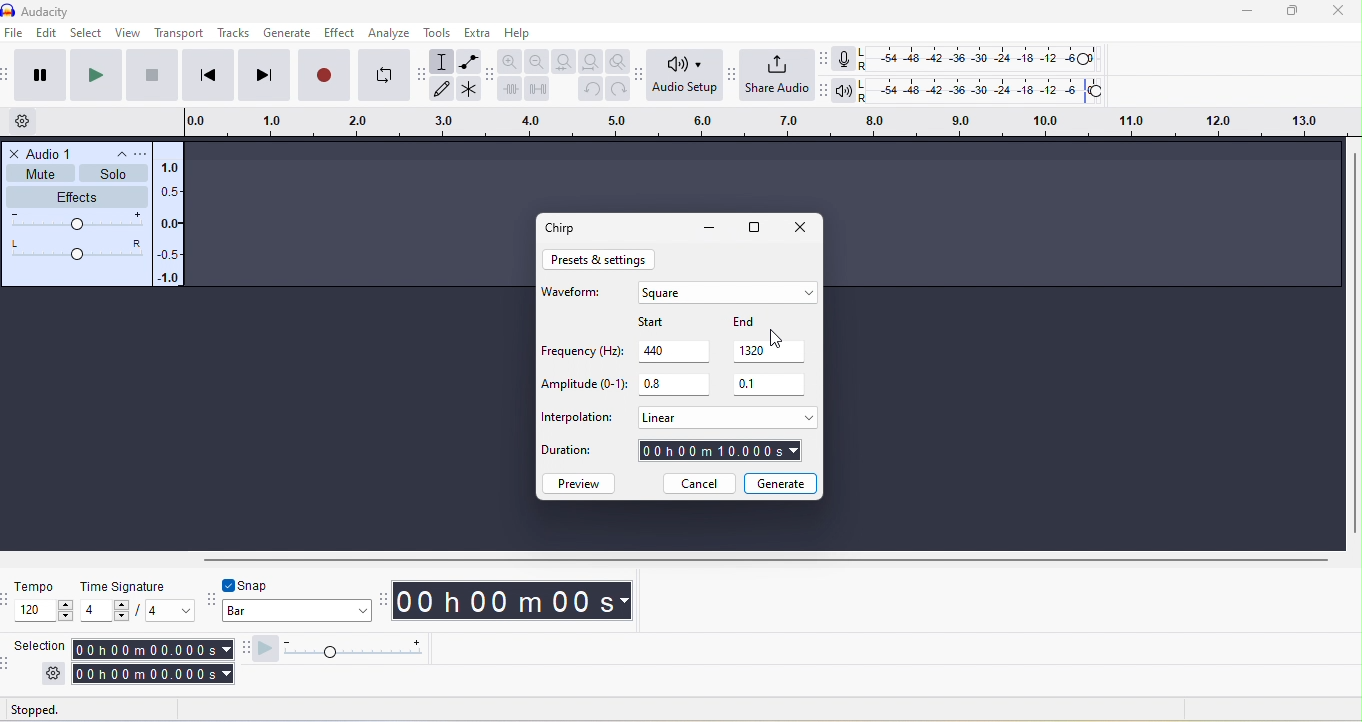 The image size is (1362, 722). Describe the element at coordinates (673, 385) in the screenshot. I see `0.8` at that location.